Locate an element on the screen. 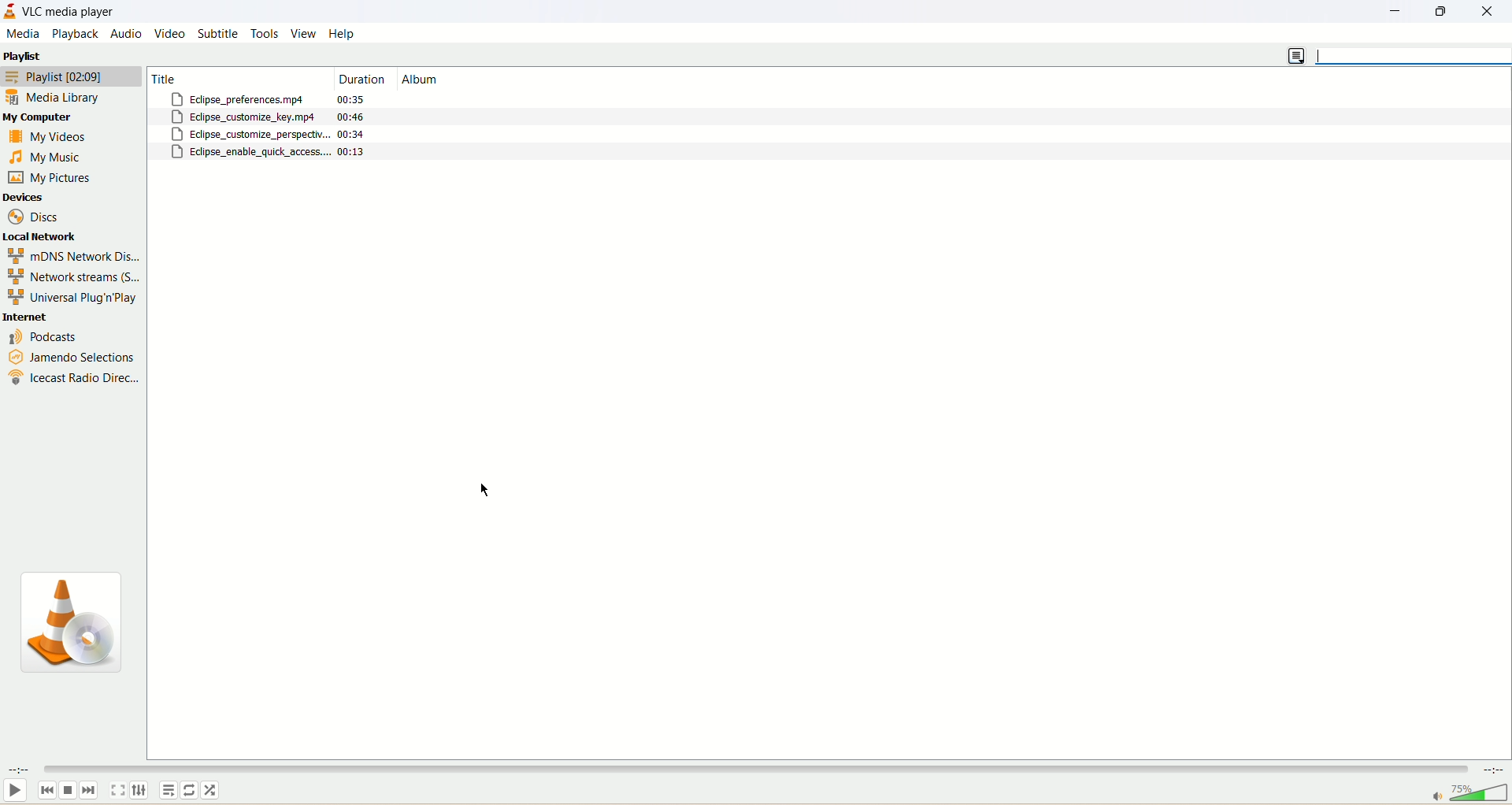  discs is located at coordinates (44, 217).